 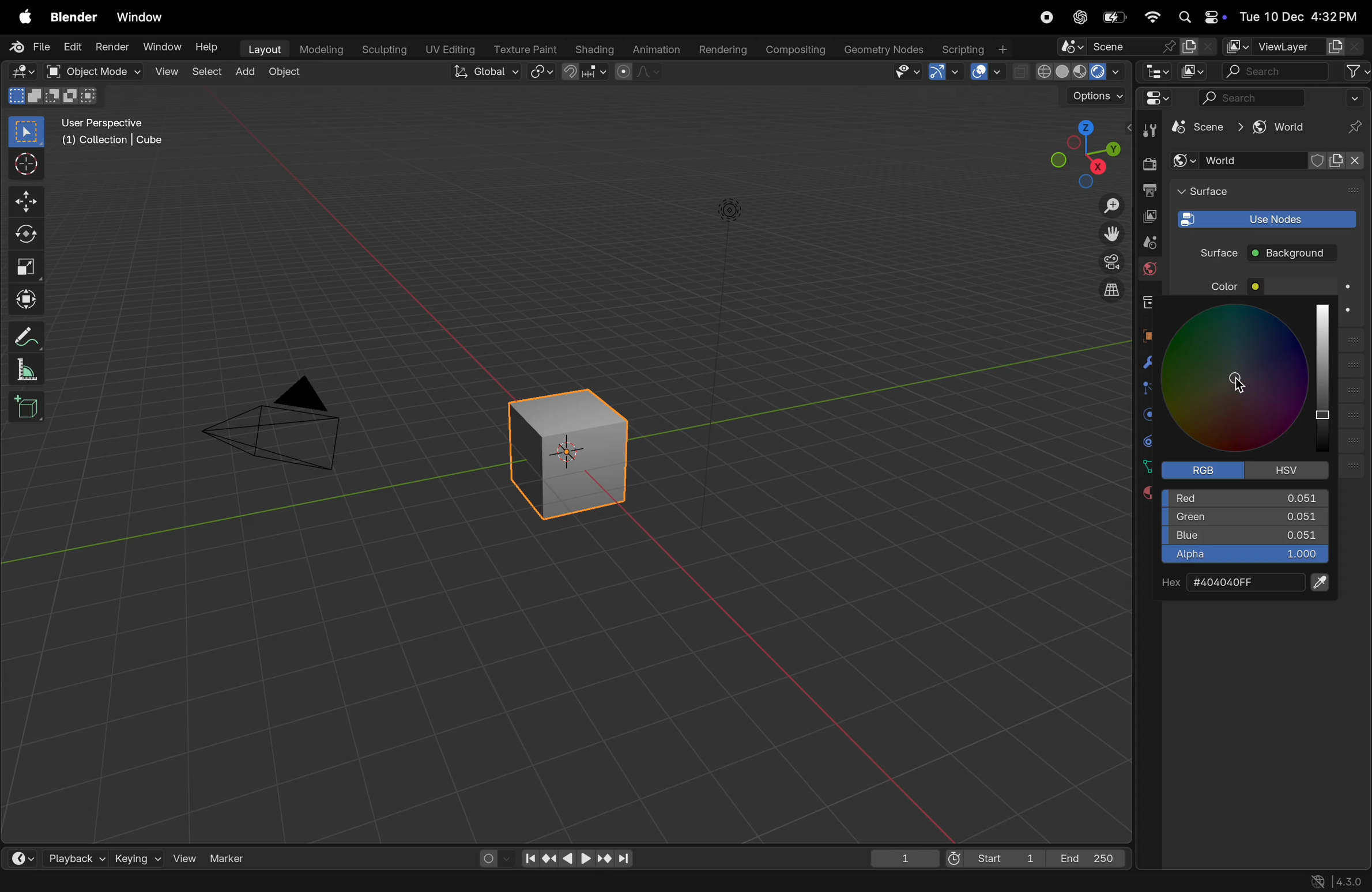 I want to click on date and time, so click(x=1298, y=13).